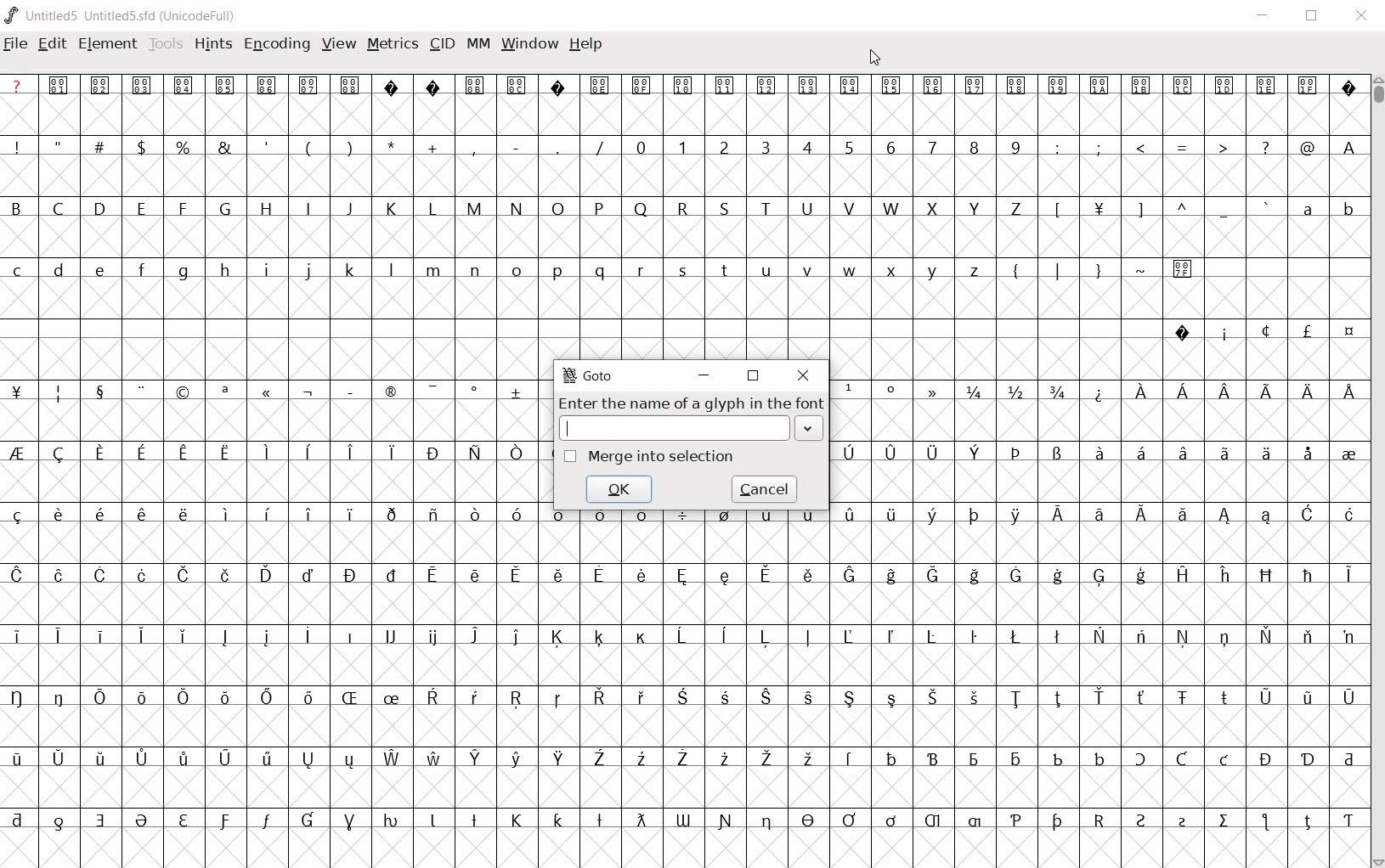  Describe the element at coordinates (806, 146) in the screenshot. I see `4` at that location.